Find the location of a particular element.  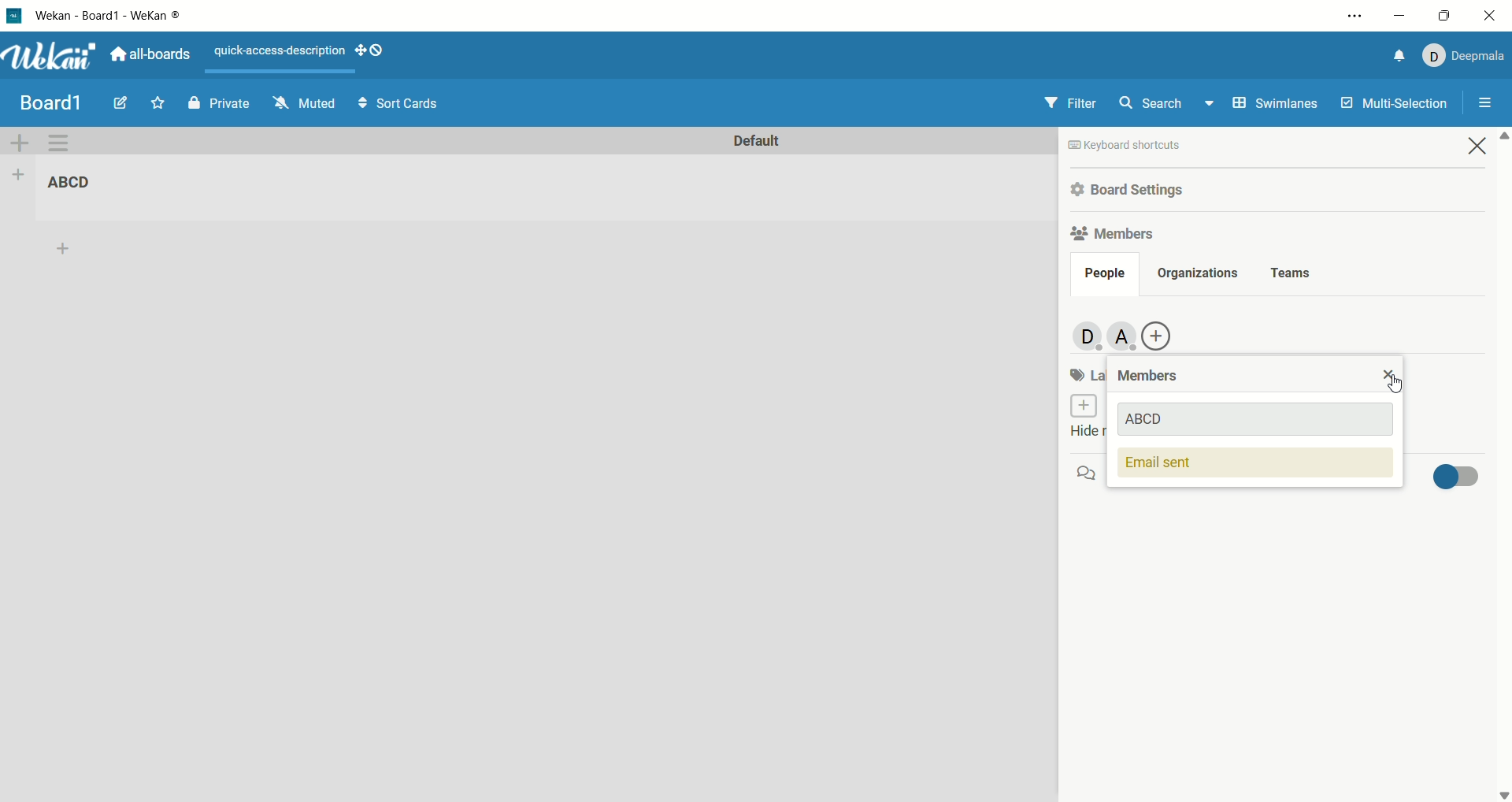

minimize is located at coordinates (1398, 14).